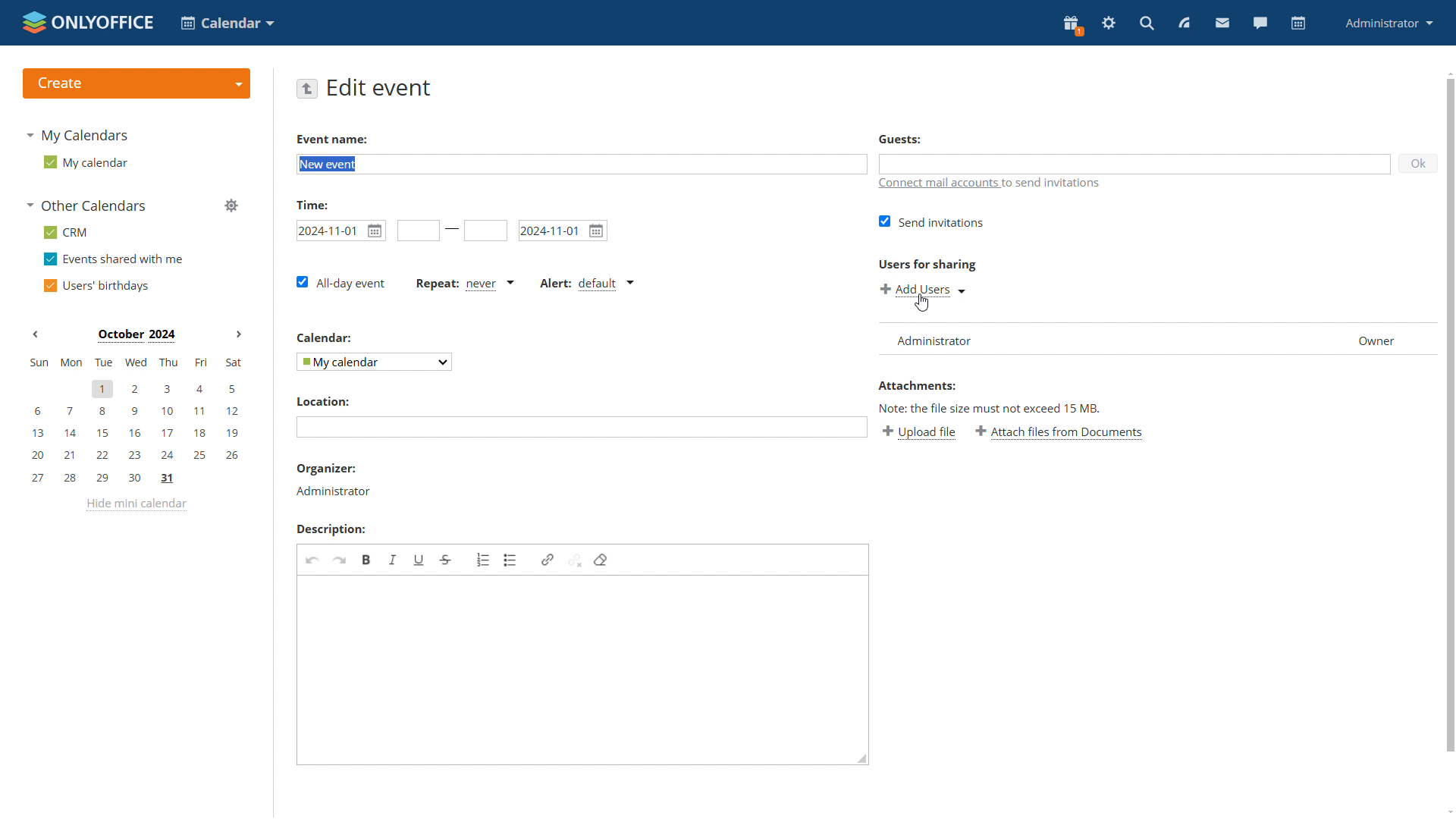 Image resolution: width=1456 pixels, height=819 pixels. Describe the element at coordinates (314, 205) in the screenshot. I see `time` at that location.